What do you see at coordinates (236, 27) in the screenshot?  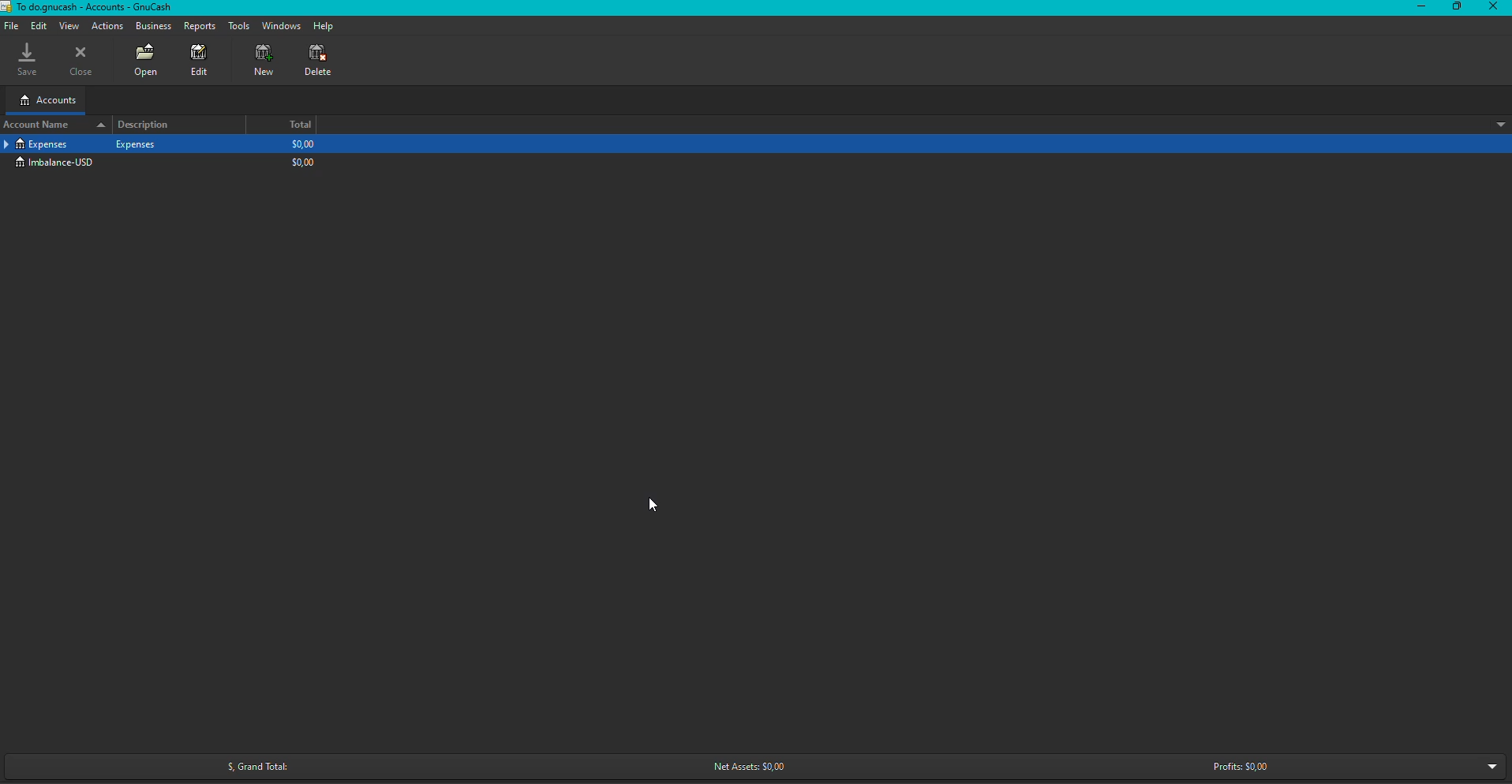 I see `Tools` at bounding box center [236, 27].